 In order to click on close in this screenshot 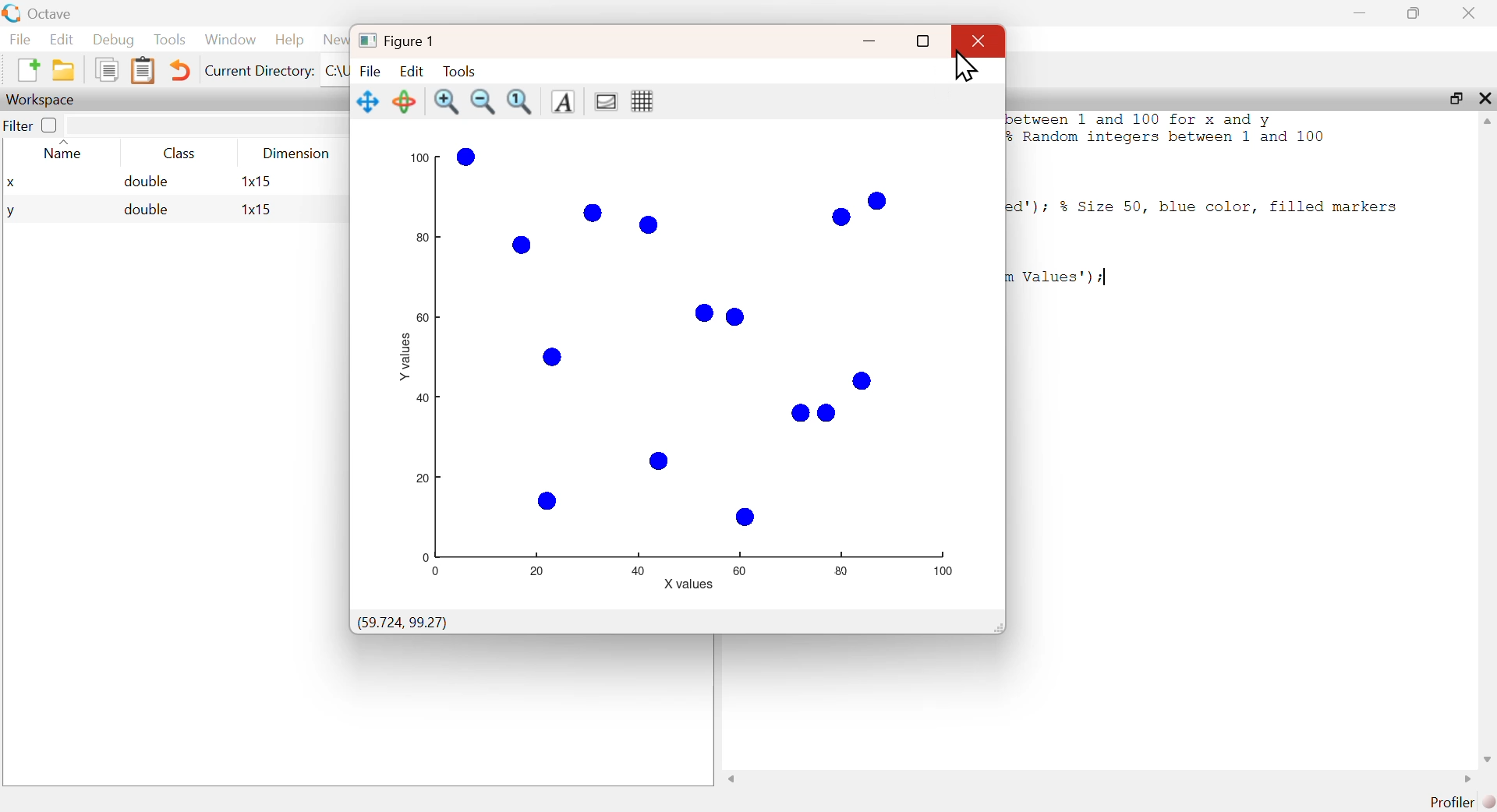, I will do `click(981, 41)`.